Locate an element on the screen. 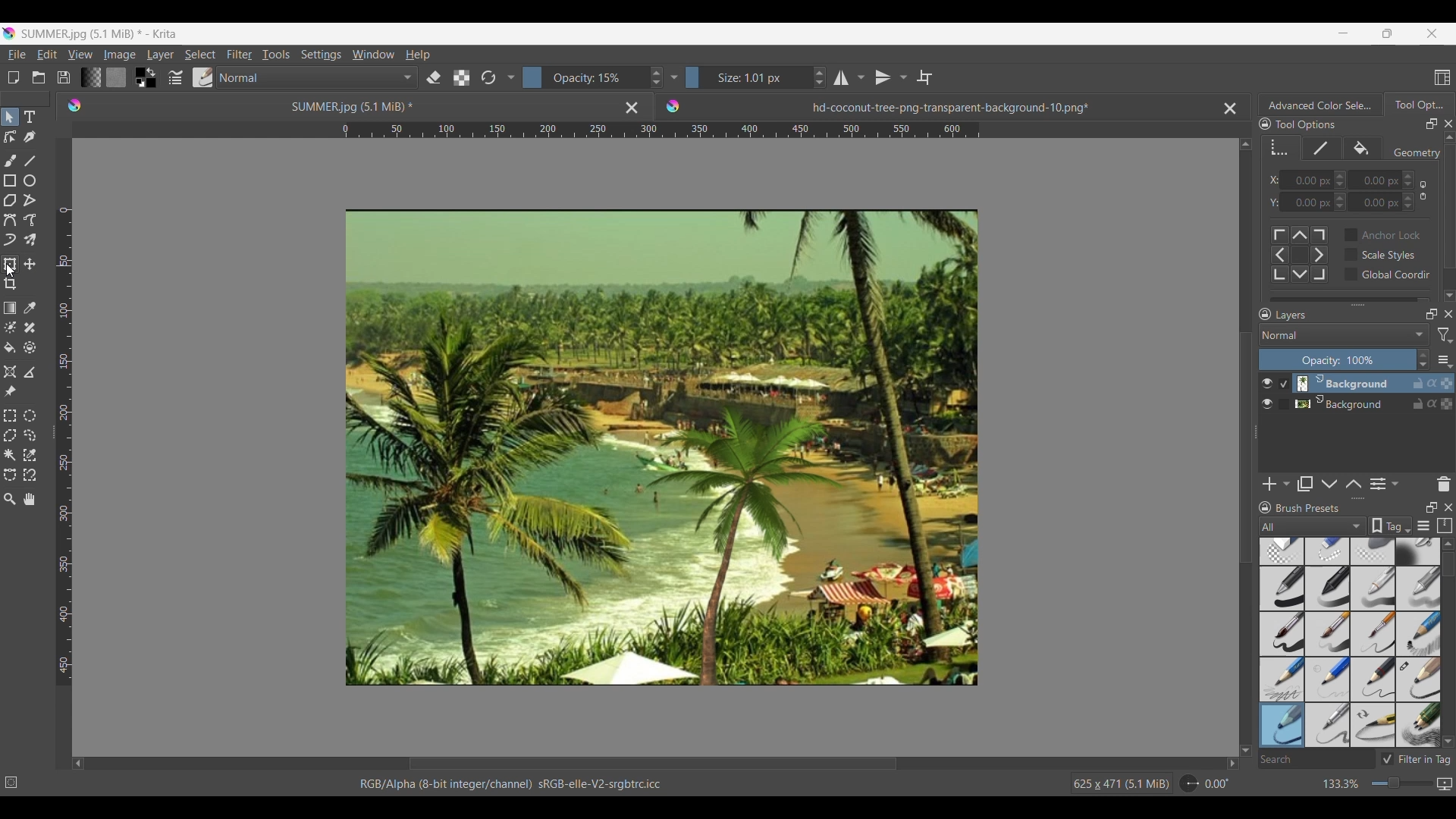 This screenshot has height=819, width=1456. 0.00px is located at coordinates (1313, 179).